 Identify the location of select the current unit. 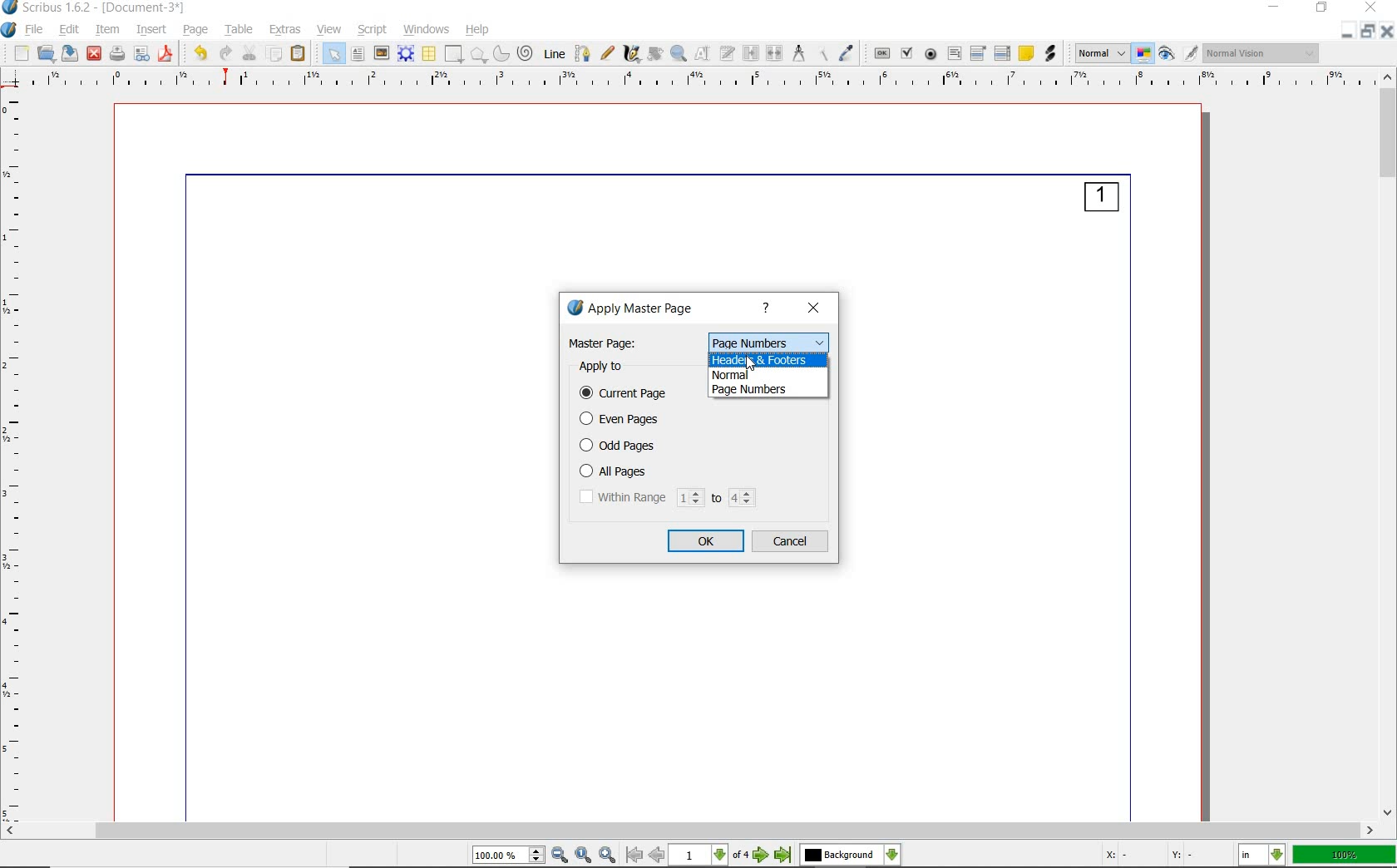
(1262, 854).